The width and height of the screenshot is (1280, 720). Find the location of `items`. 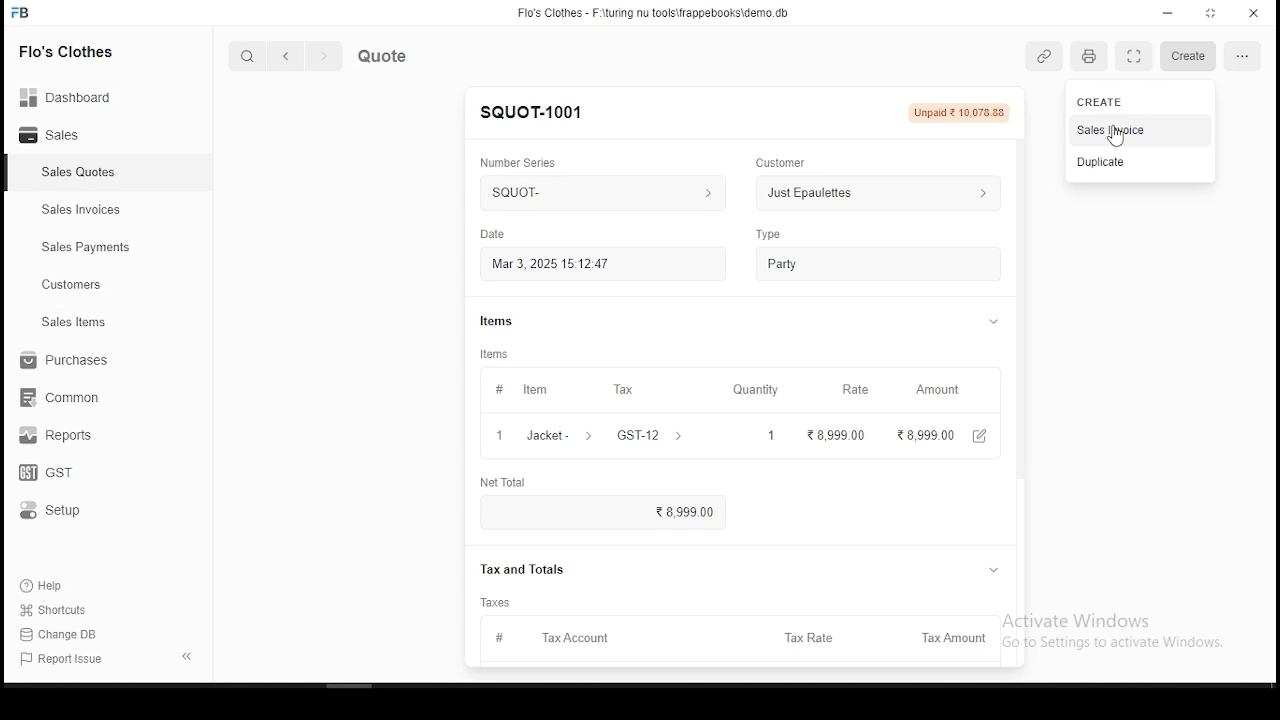

items is located at coordinates (498, 353).